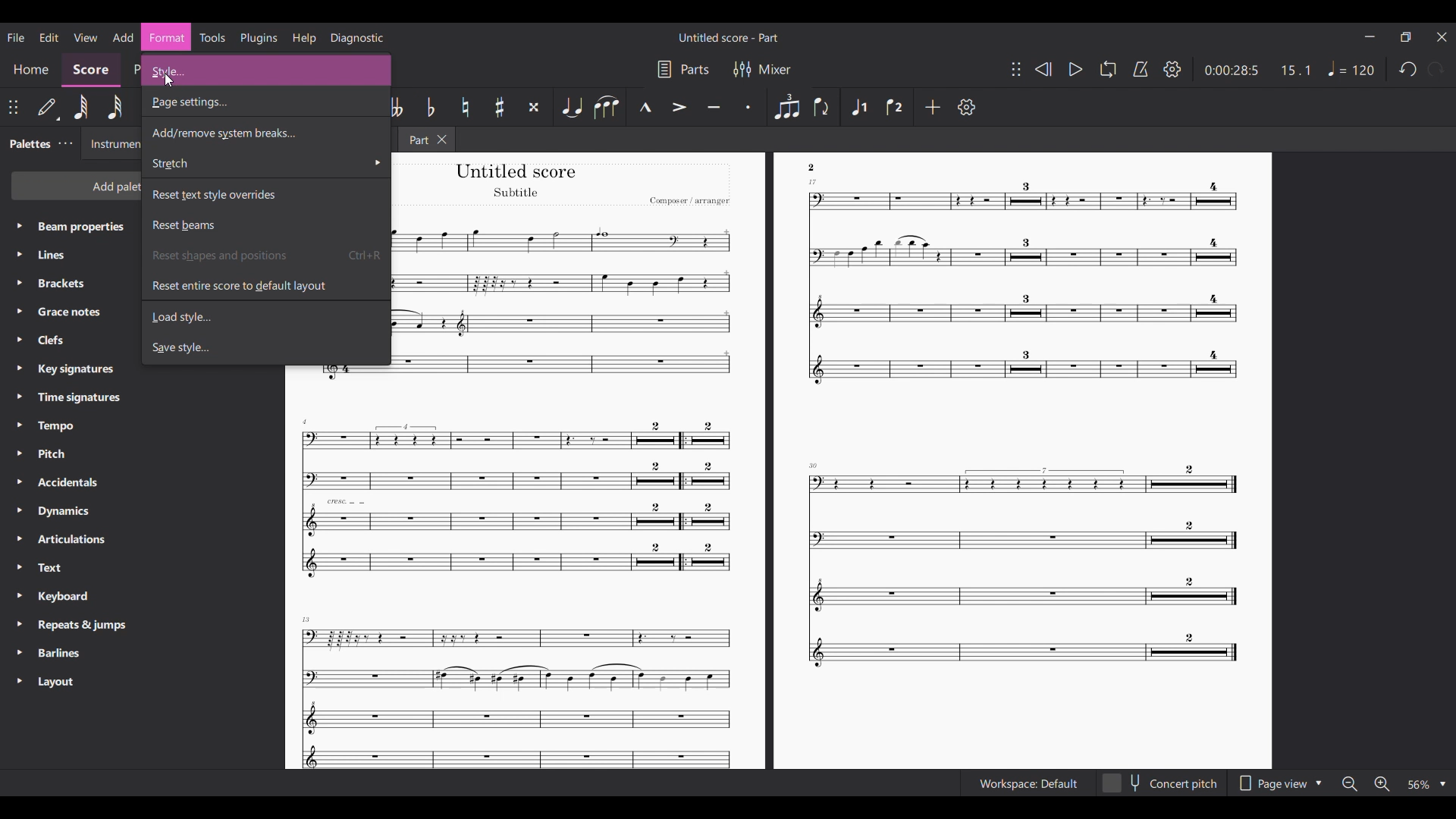  What do you see at coordinates (74, 253) in the screenshot?
I see `Lines` at bounding box center [74, 253].